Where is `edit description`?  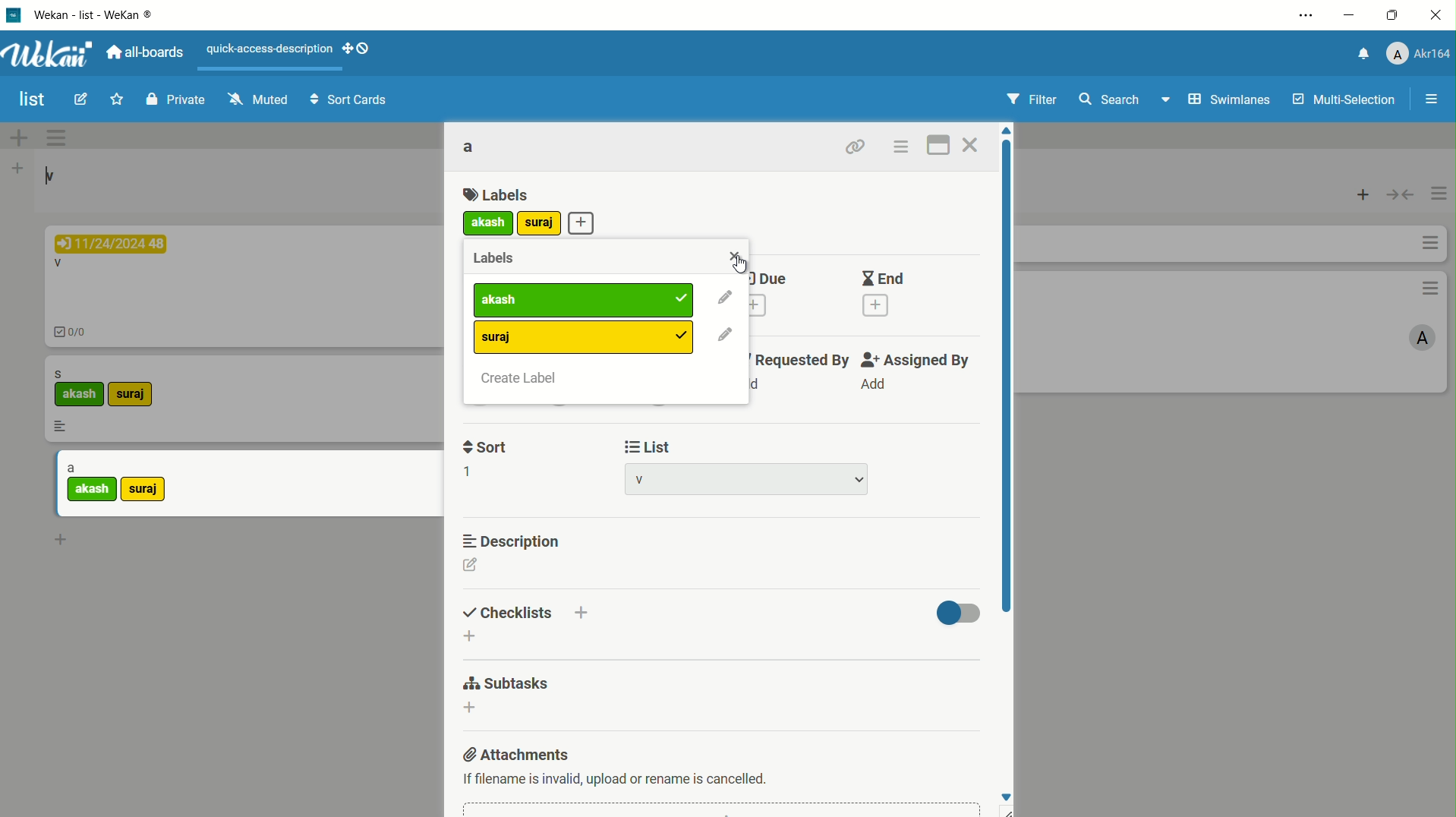 edit description is located at coordinates (471, 563).